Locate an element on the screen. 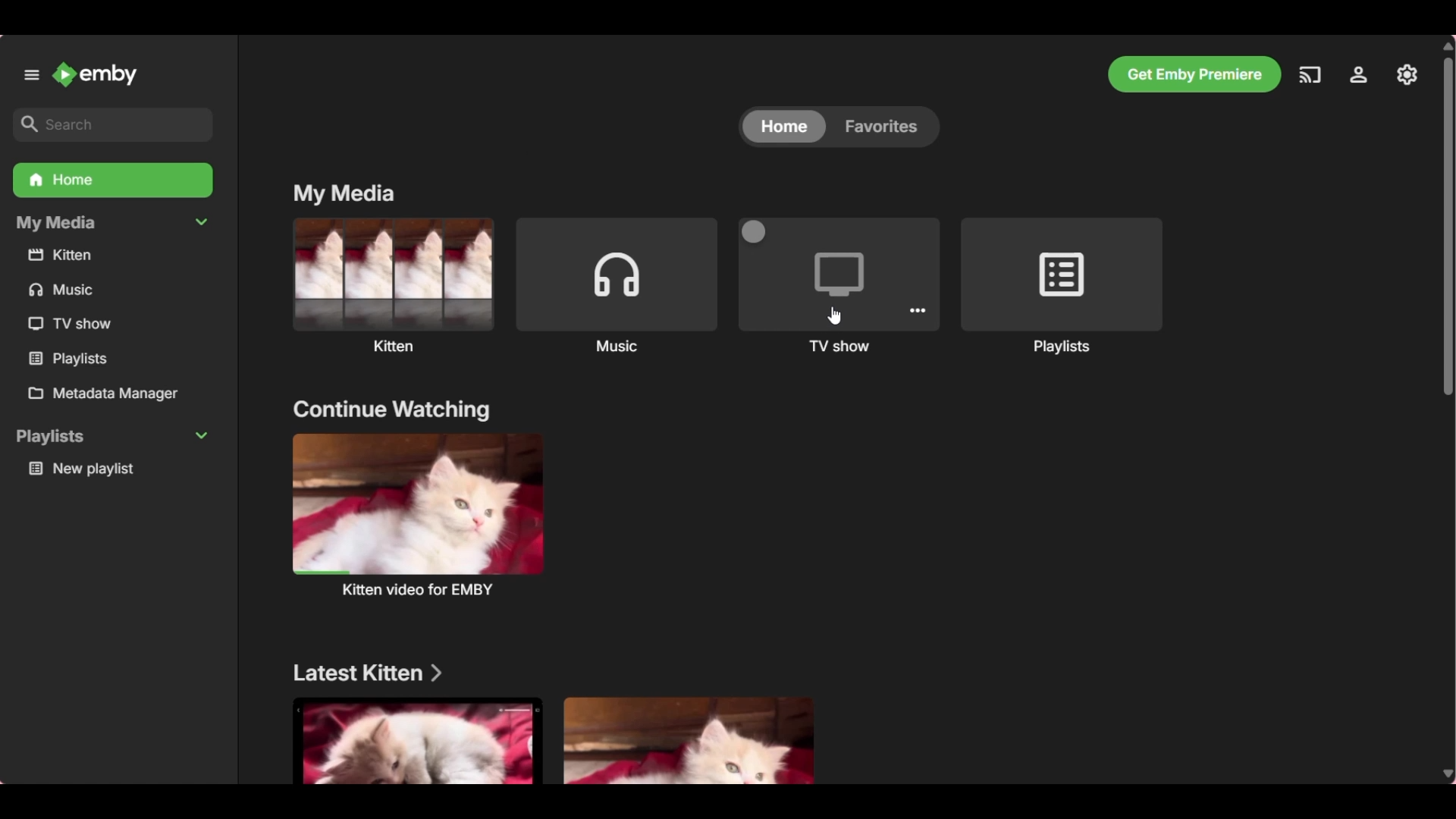 This screenshot has height=819, width=1456. Go to home is located at coordinates (95, 74).